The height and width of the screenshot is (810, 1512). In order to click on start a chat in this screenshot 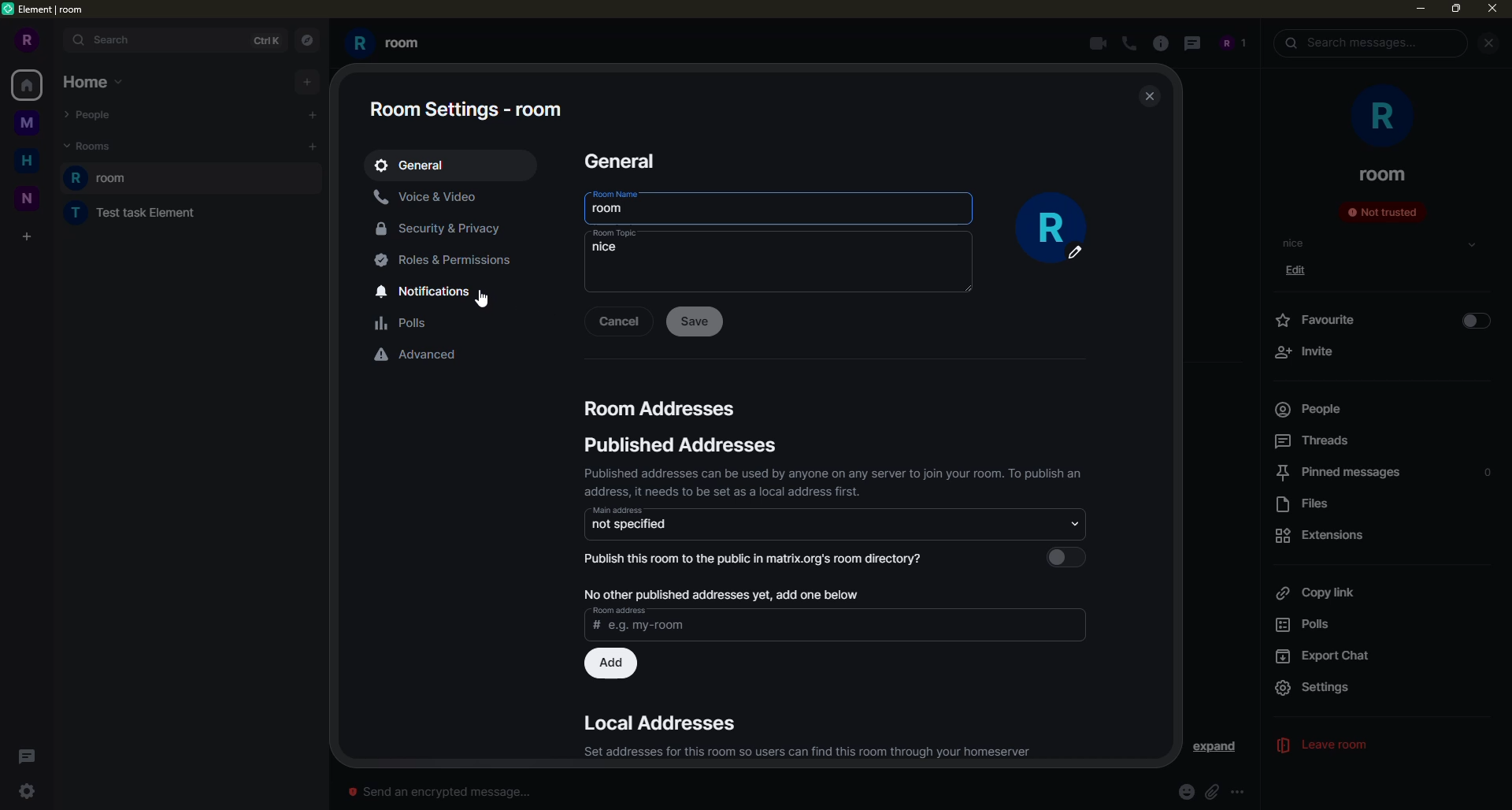, I will do `click(309, 115)`.